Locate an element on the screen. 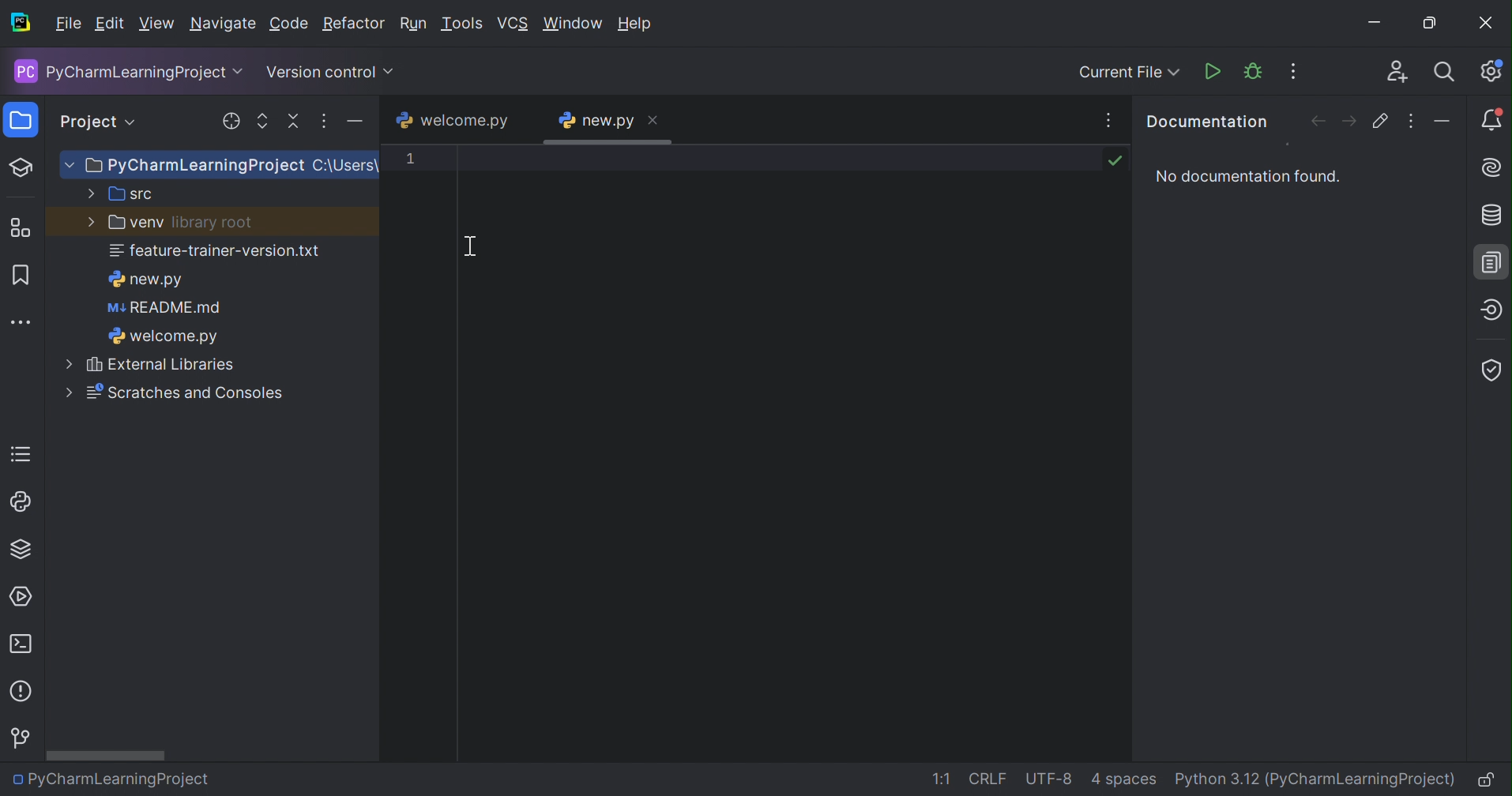 This screenshot has width=1512, height=796. Scroll bar is located at coordinates (106, 755).